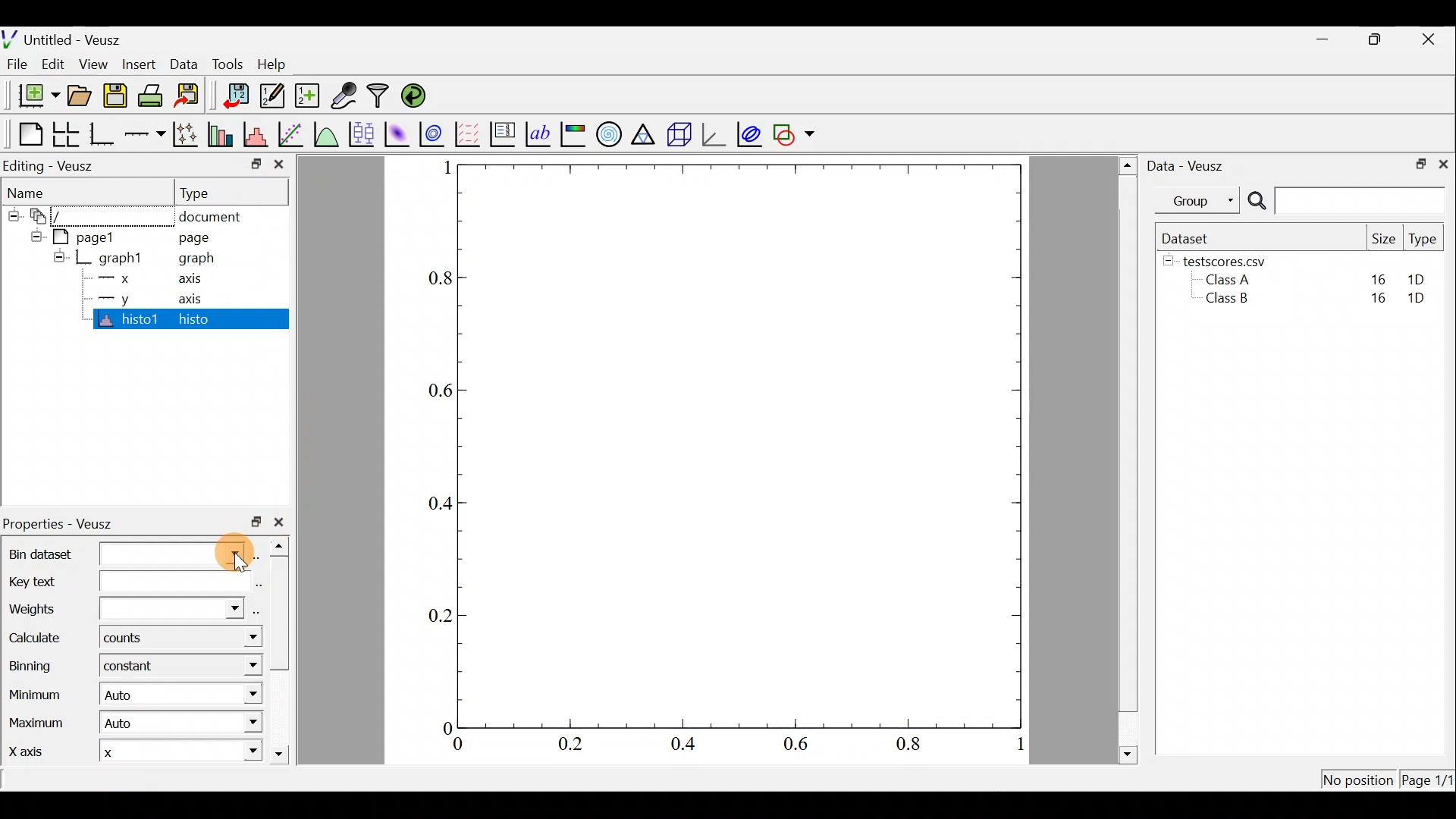 The width and height of the screenshot is (1456, 819). What do you see at coordinates (278, 165) in the screenshot?
I see `close` at bounding box center [278, 165].